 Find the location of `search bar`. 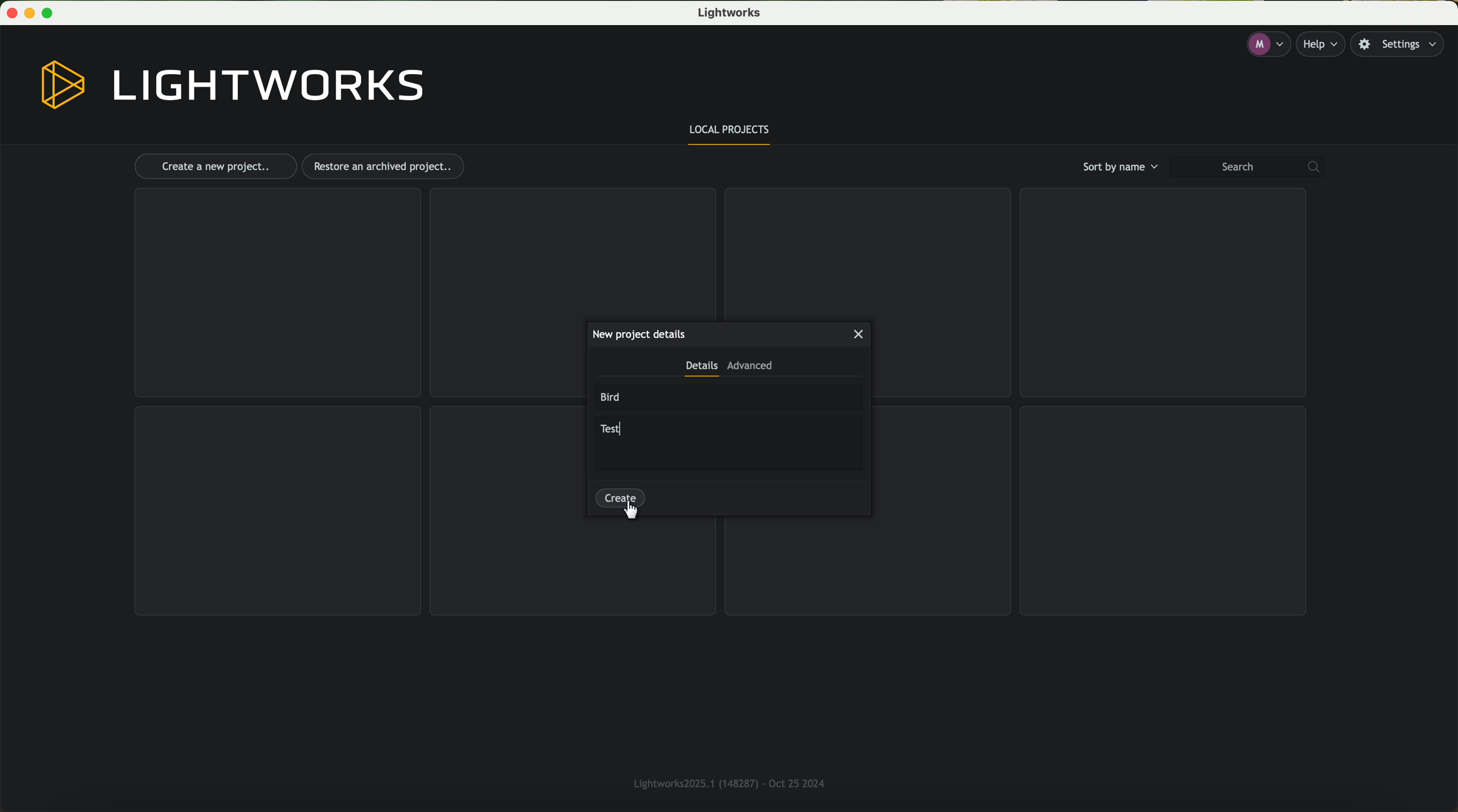

search bar is located at coordinates (1252, 167).